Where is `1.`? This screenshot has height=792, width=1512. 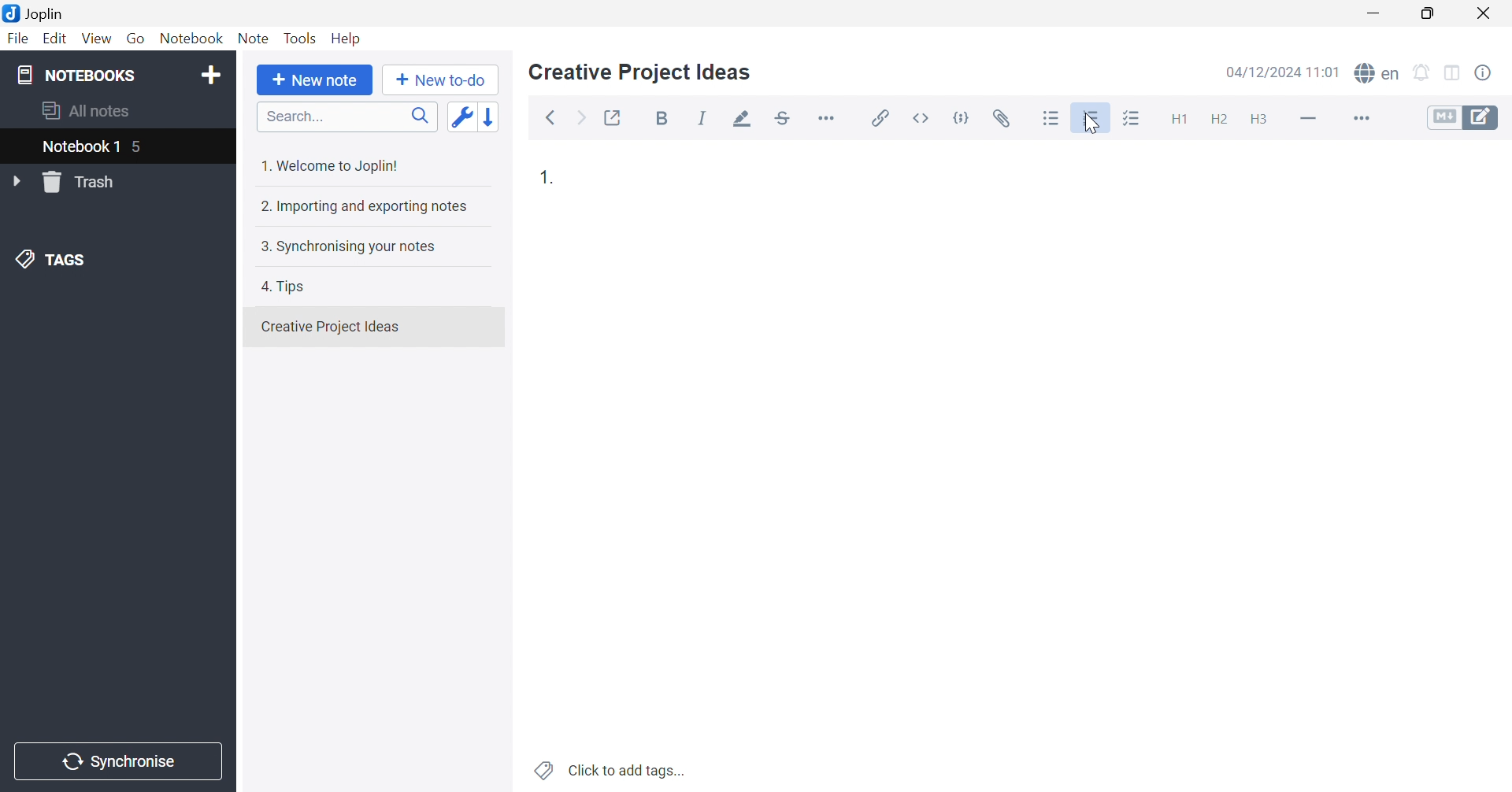
1. is located at coordinates (545, 180).